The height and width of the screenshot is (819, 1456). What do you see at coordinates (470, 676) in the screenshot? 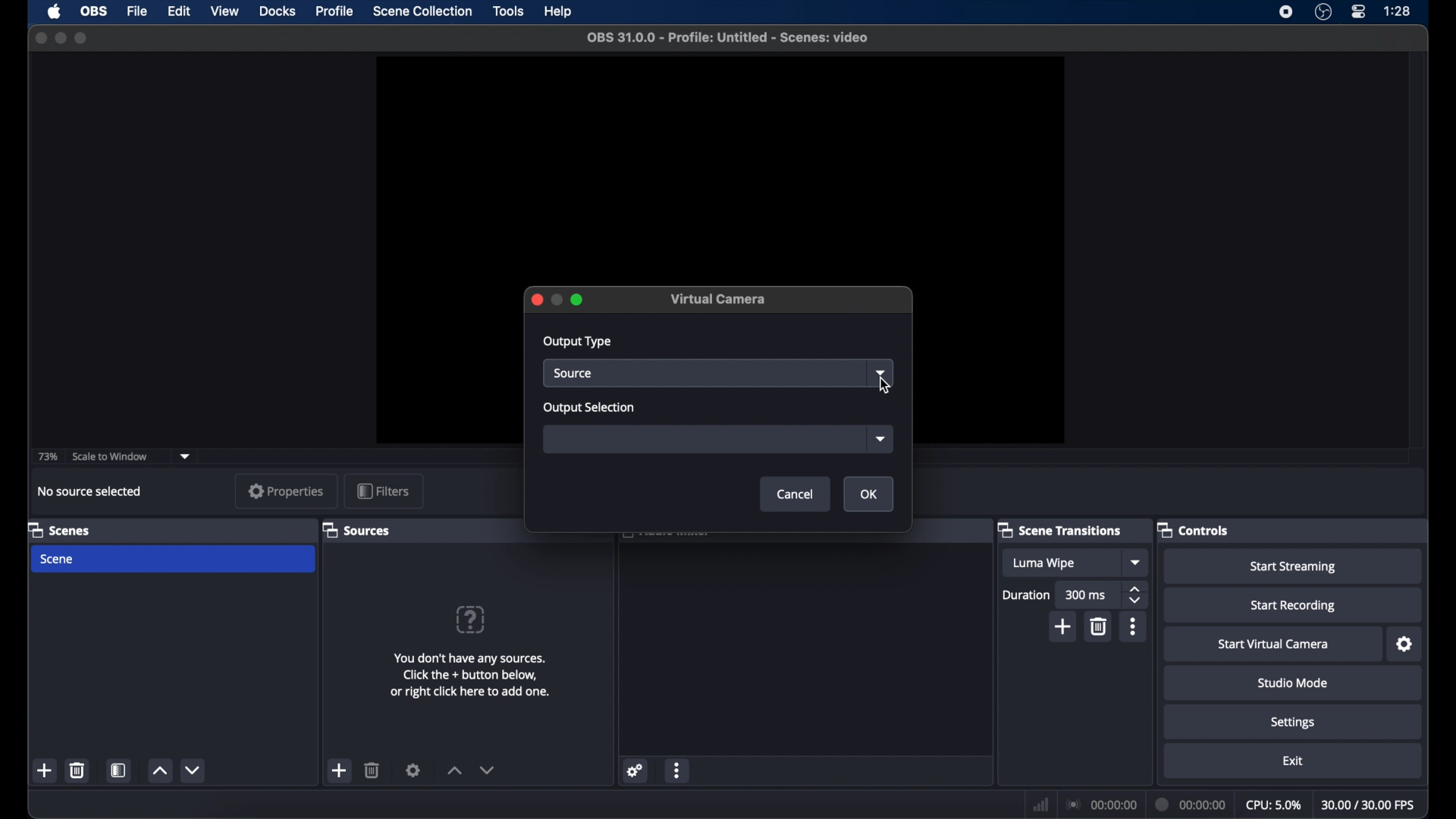
I see `add sources information` at bounding box center [470, 676].